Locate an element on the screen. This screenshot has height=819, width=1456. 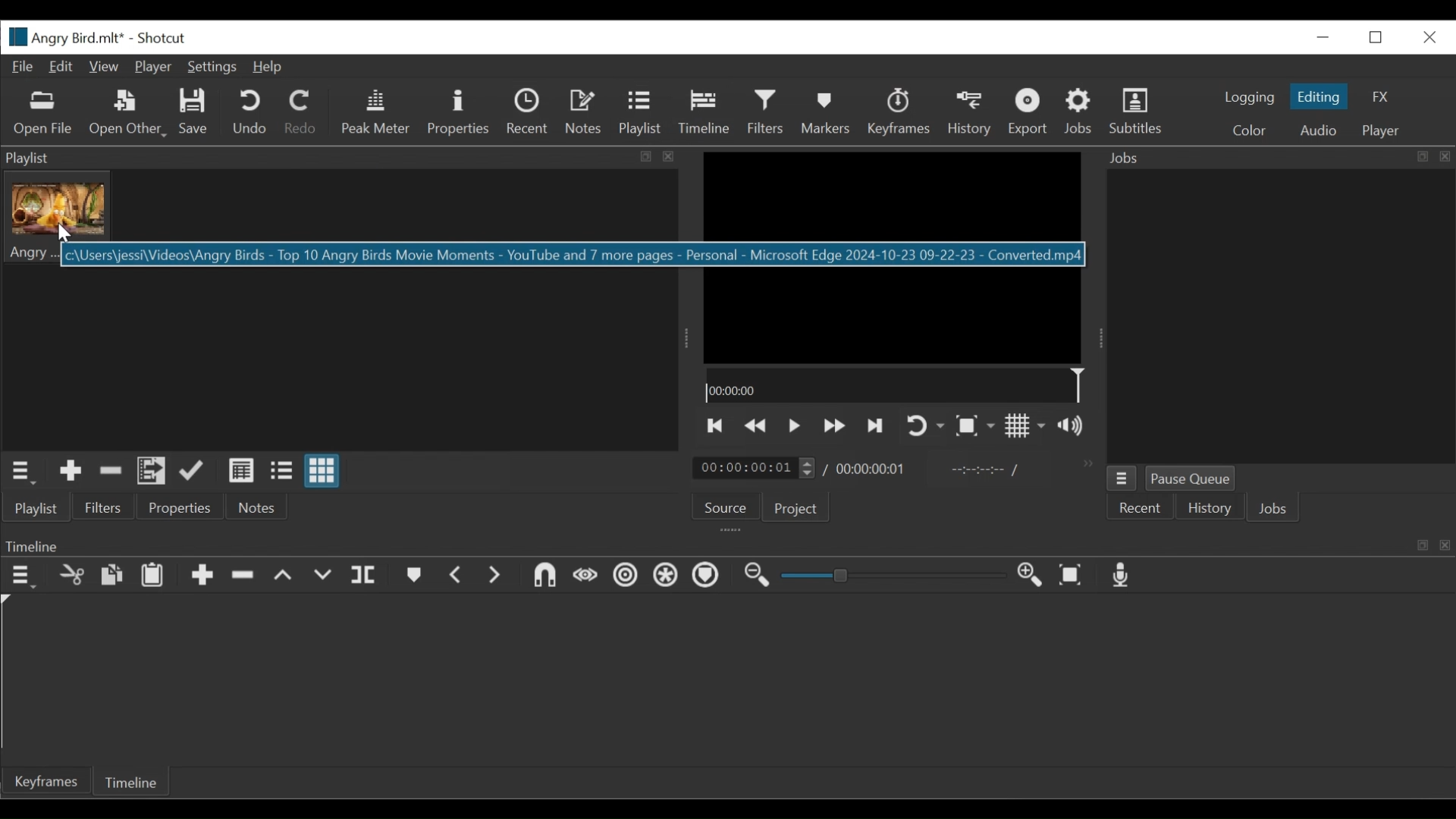
Edit is located at coordinates (63, 67).